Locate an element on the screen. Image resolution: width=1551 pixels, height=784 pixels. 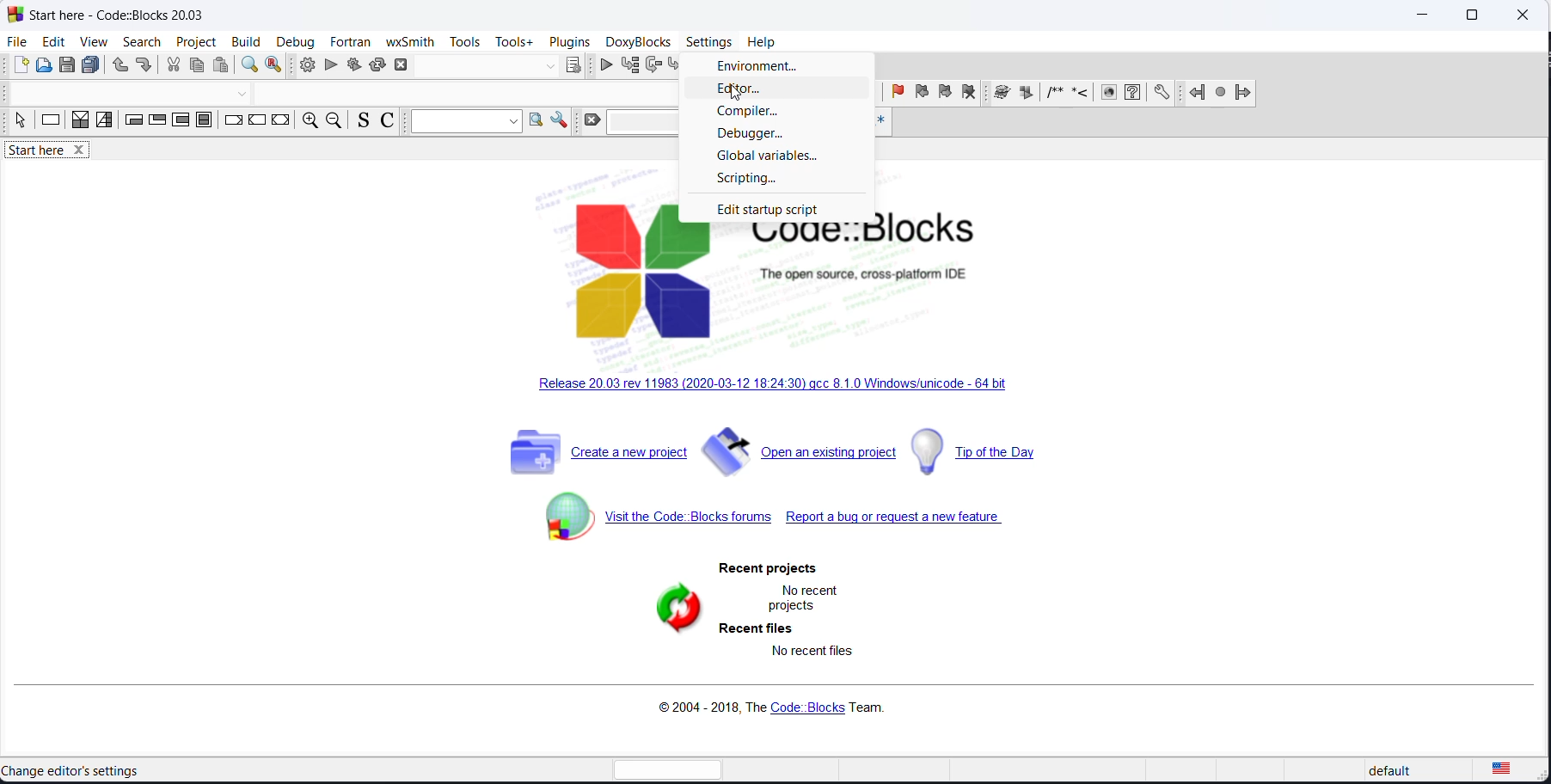
search is located at coordinates (135, 42).